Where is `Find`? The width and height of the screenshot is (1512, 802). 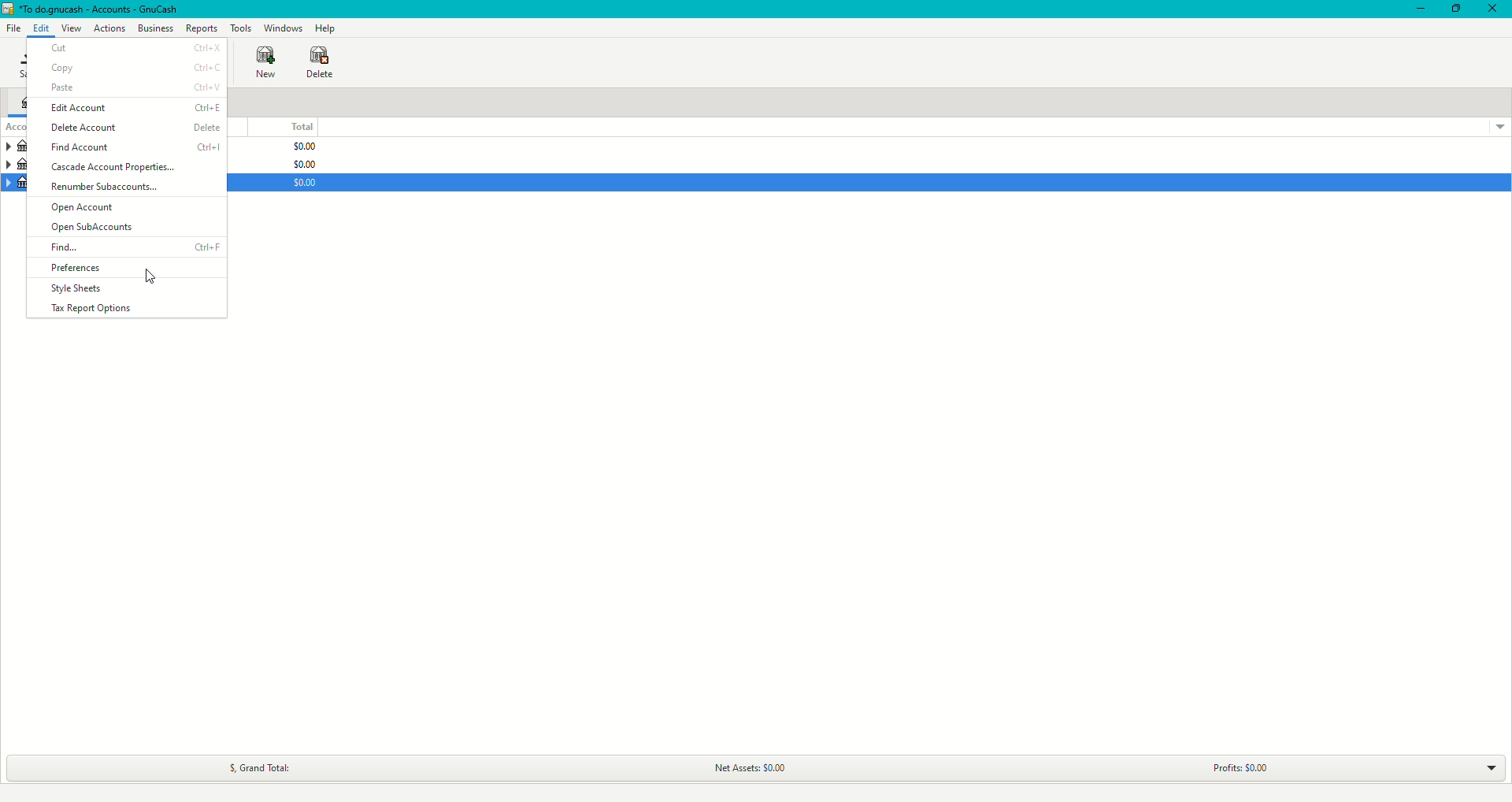 Find is located at coordinates (135, 247).